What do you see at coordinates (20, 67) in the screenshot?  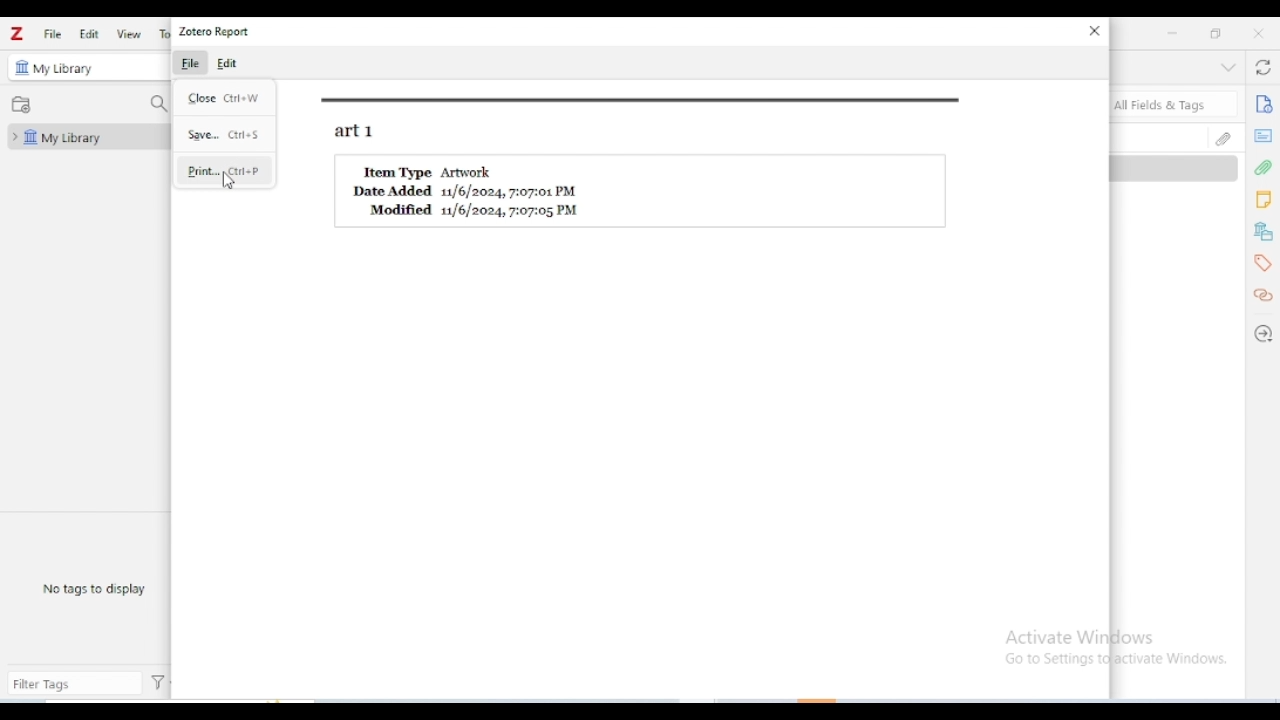 I see `icon` at bounding box center [20, 67].